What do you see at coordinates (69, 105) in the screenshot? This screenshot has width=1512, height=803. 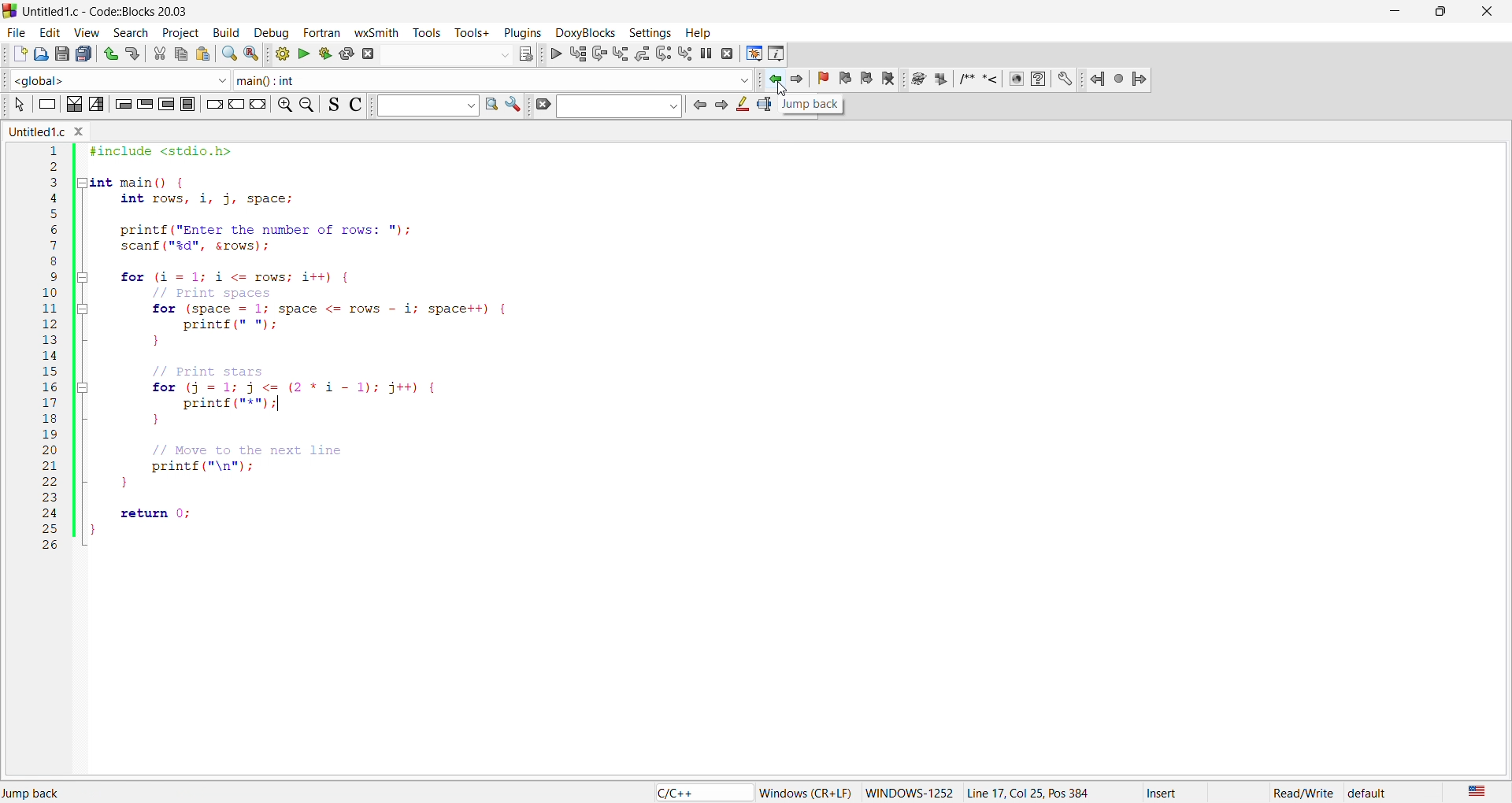 I see `icon` at bounding box center [69, 105].